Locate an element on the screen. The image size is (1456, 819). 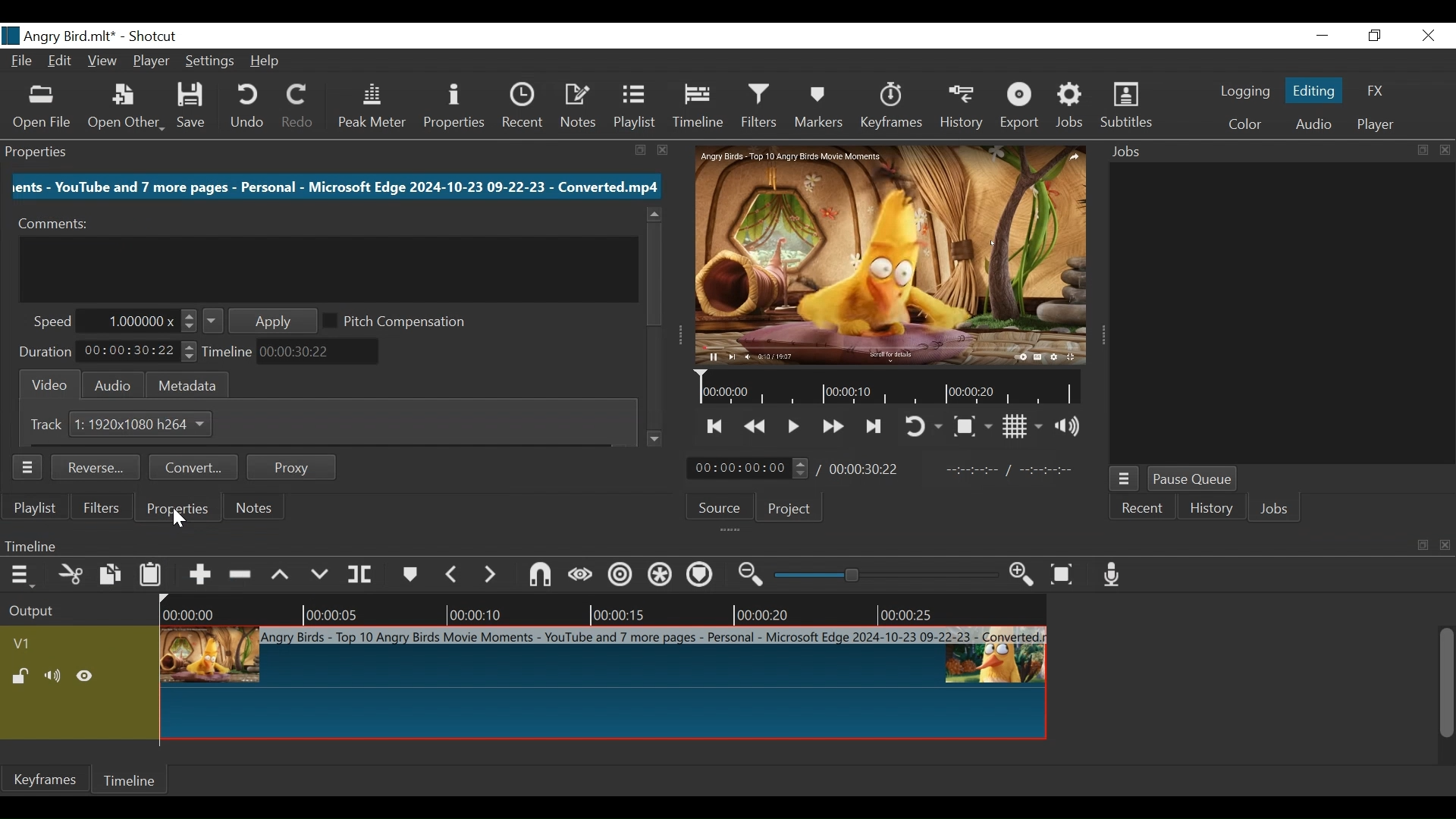
Paste is located at coordinates (153, 576).